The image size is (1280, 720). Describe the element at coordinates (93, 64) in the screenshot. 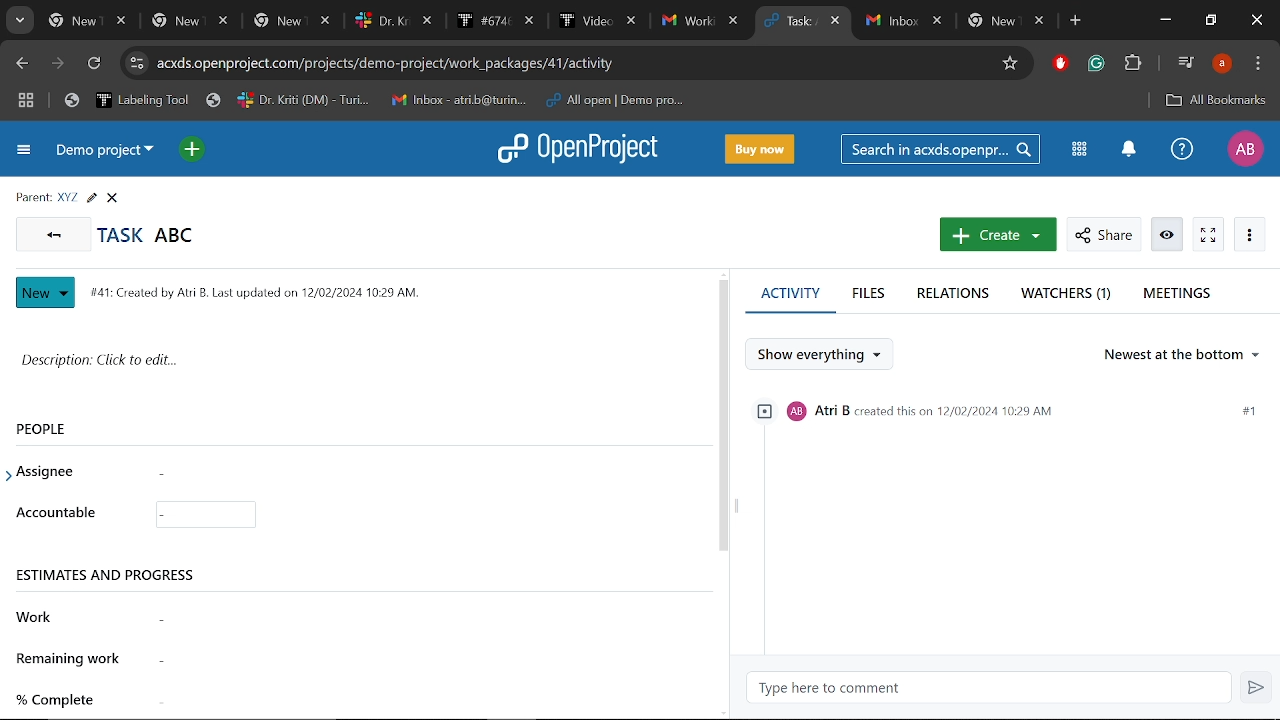

I see `Refresh` at that location.